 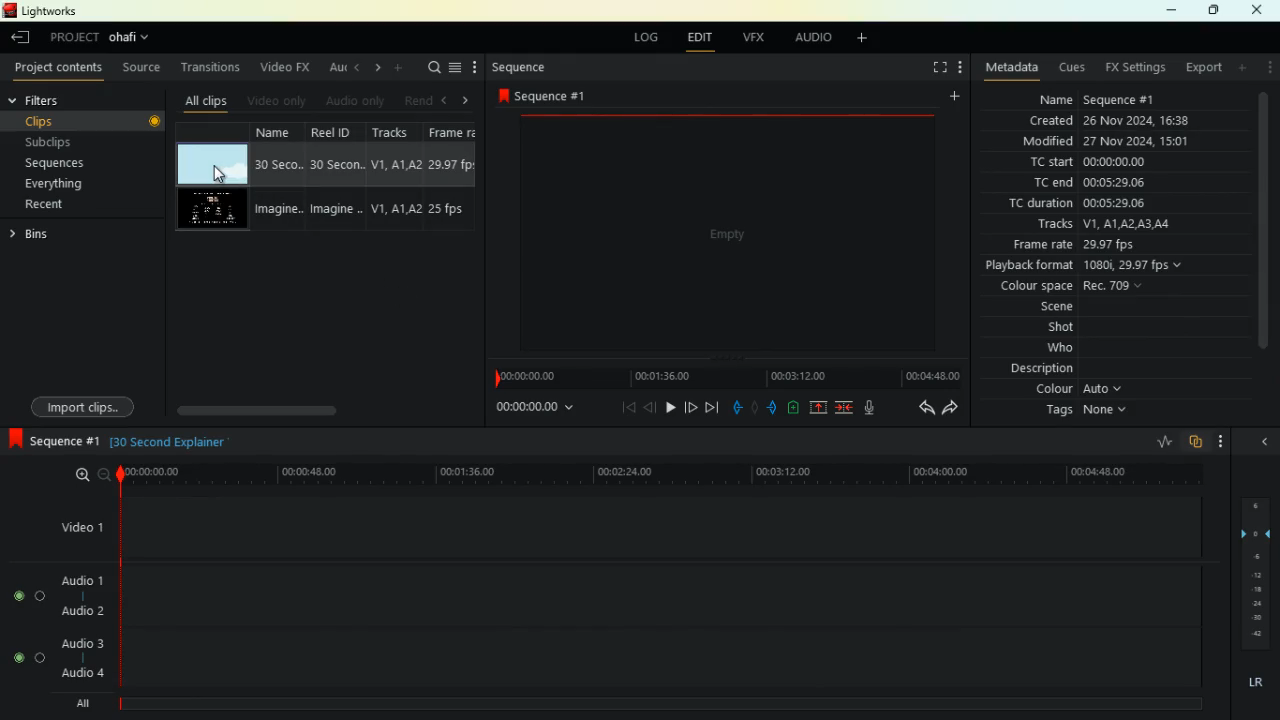 What do you see at coordinates (1116, 202) in the screenshot?
I see `tc duration 00:05:29:06` at bounding box center [1116, 202].